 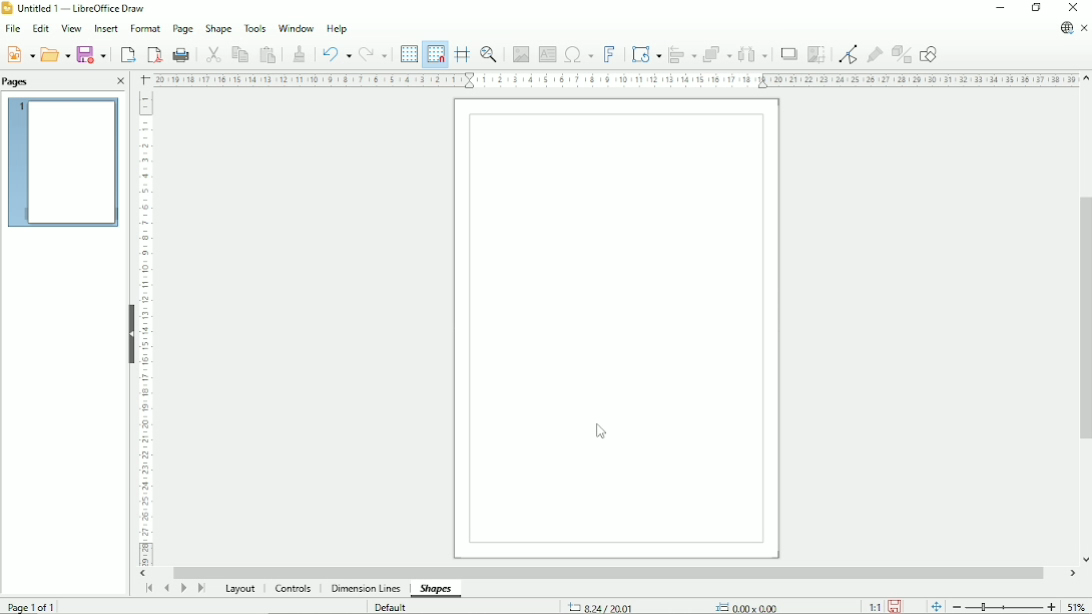 I want to click on Show gluepoint functions, so click(x=873, y=56).